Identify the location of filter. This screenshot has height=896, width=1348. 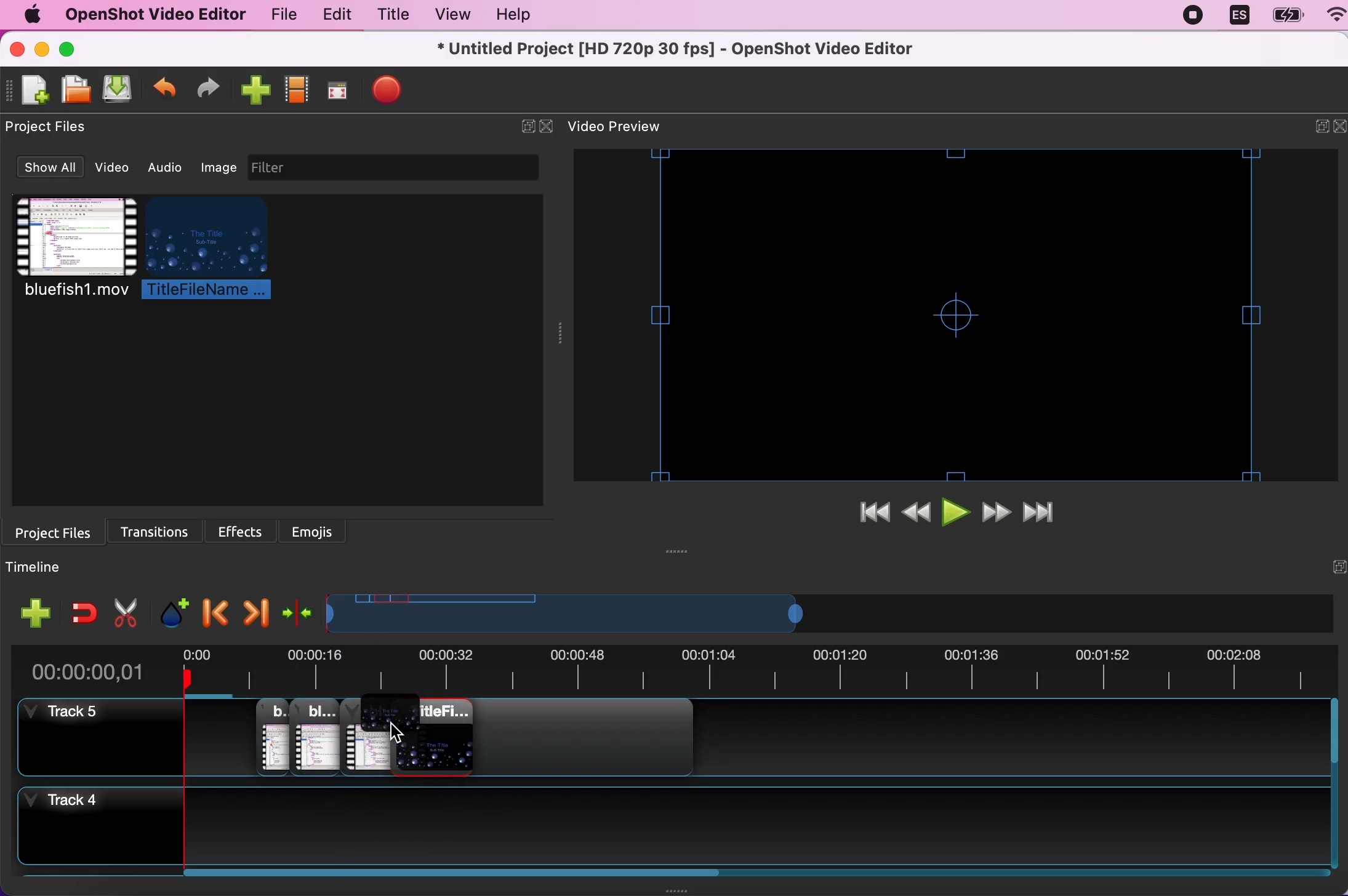
(406, 167).